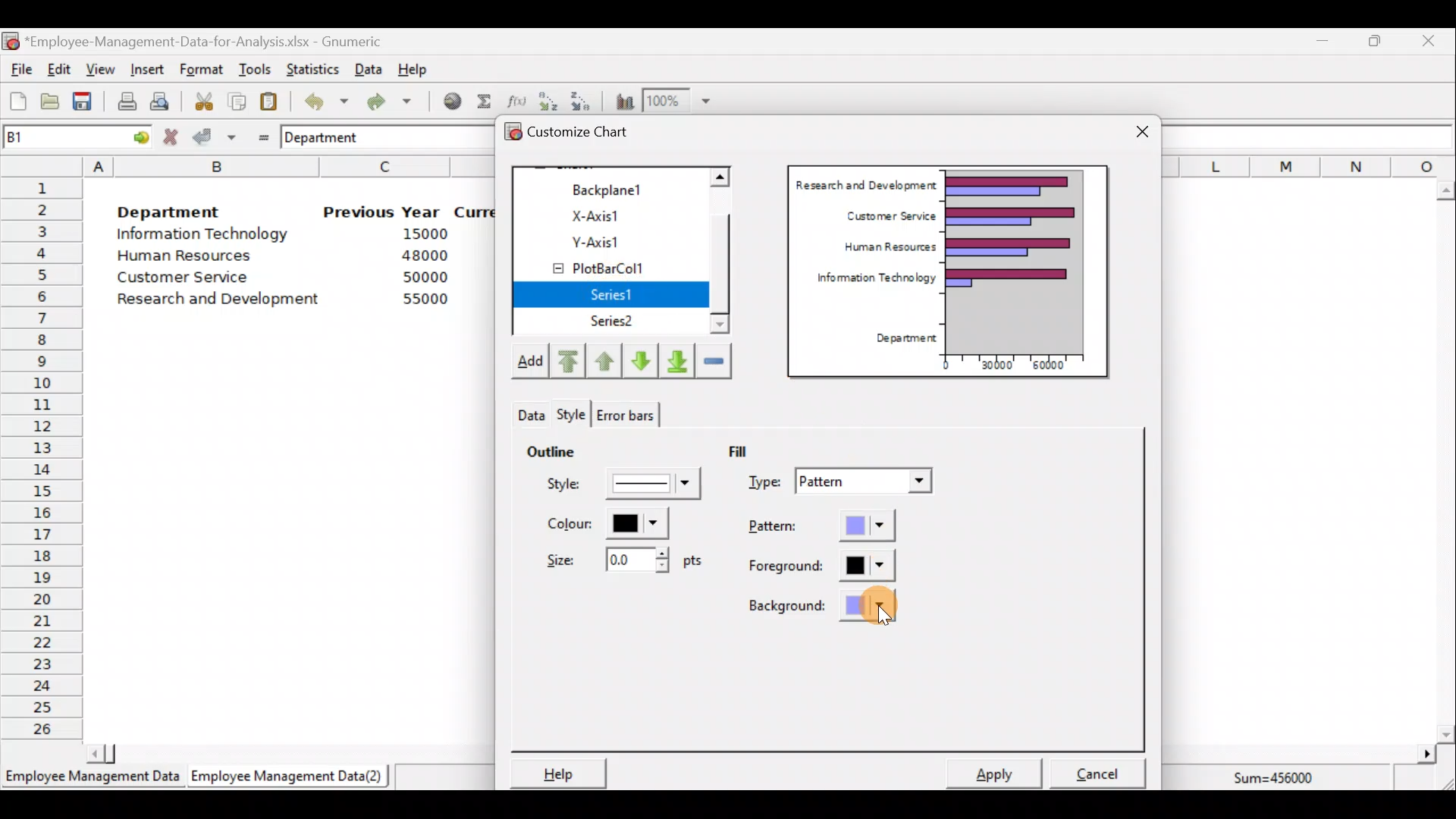  Describe the element at coordinates (87, 104) in the screenshot. I see `Save the current workbook` at that location.